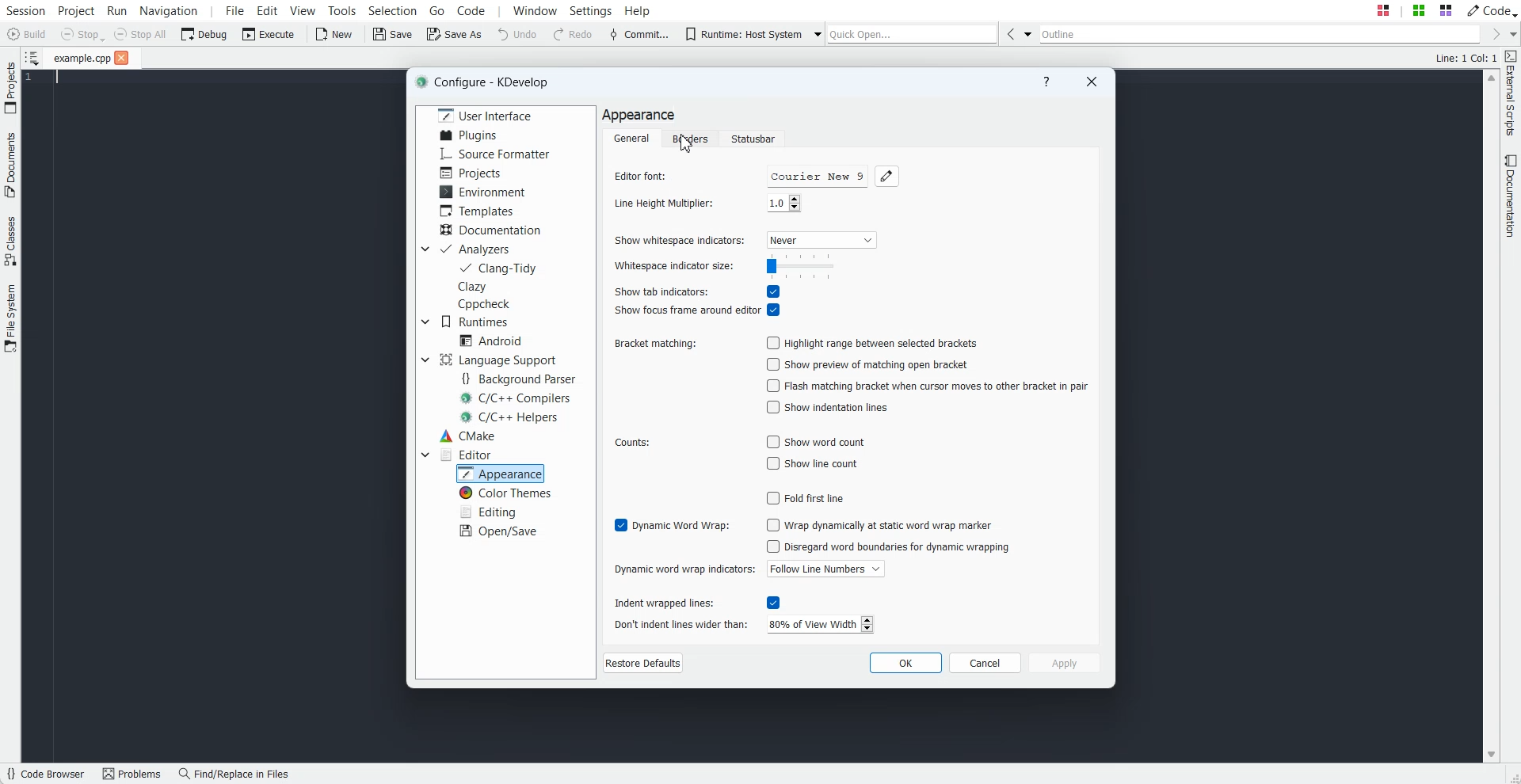 The width and height of the screenshot is (1521, 784). What do you see at coordinates (452, 33) in the screenshot?
I see `Save As` at bounding box center [452, 33].